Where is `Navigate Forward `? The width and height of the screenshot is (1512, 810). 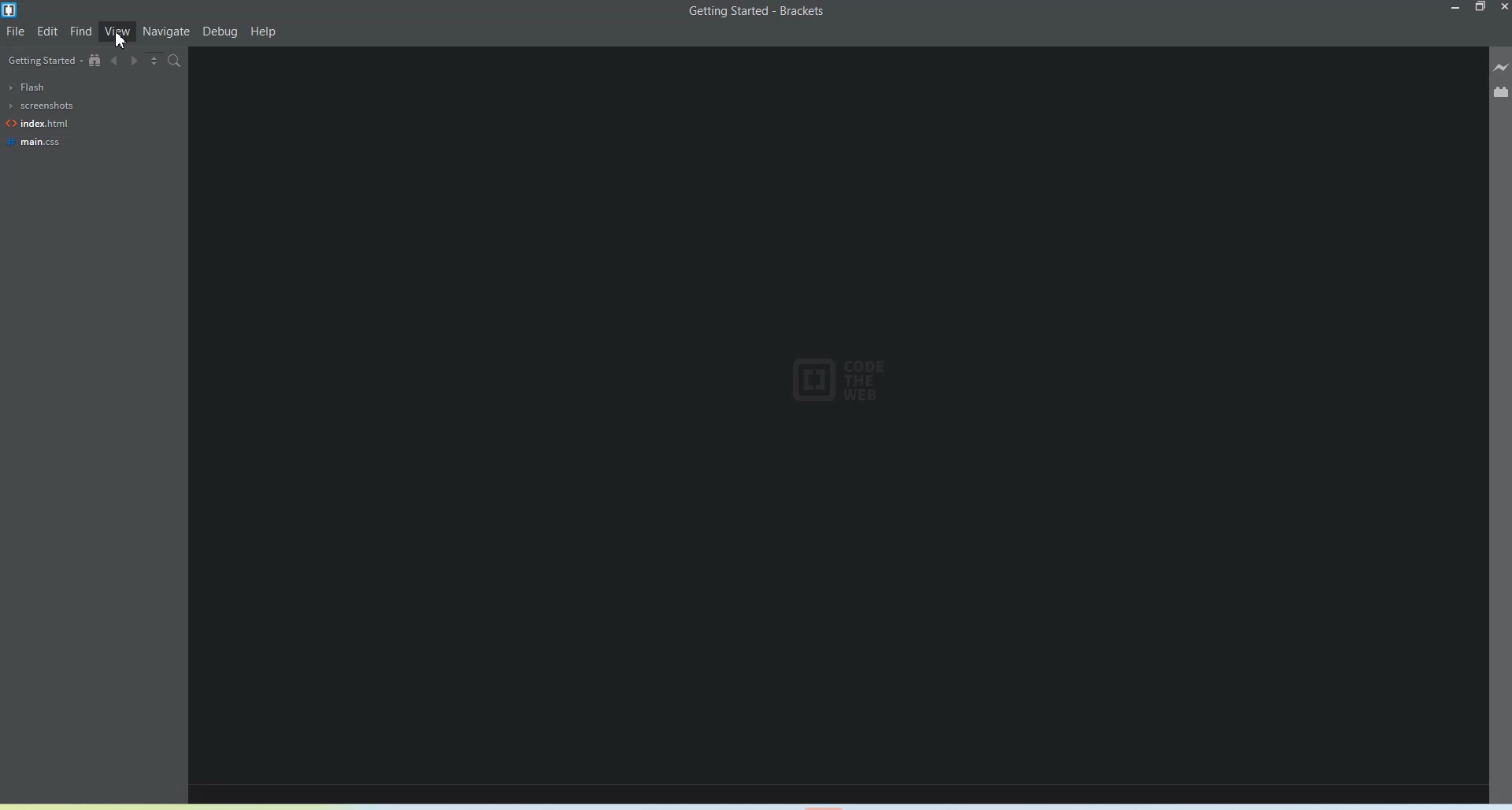
Navigate Forward  is located at coordinates (134, 61).